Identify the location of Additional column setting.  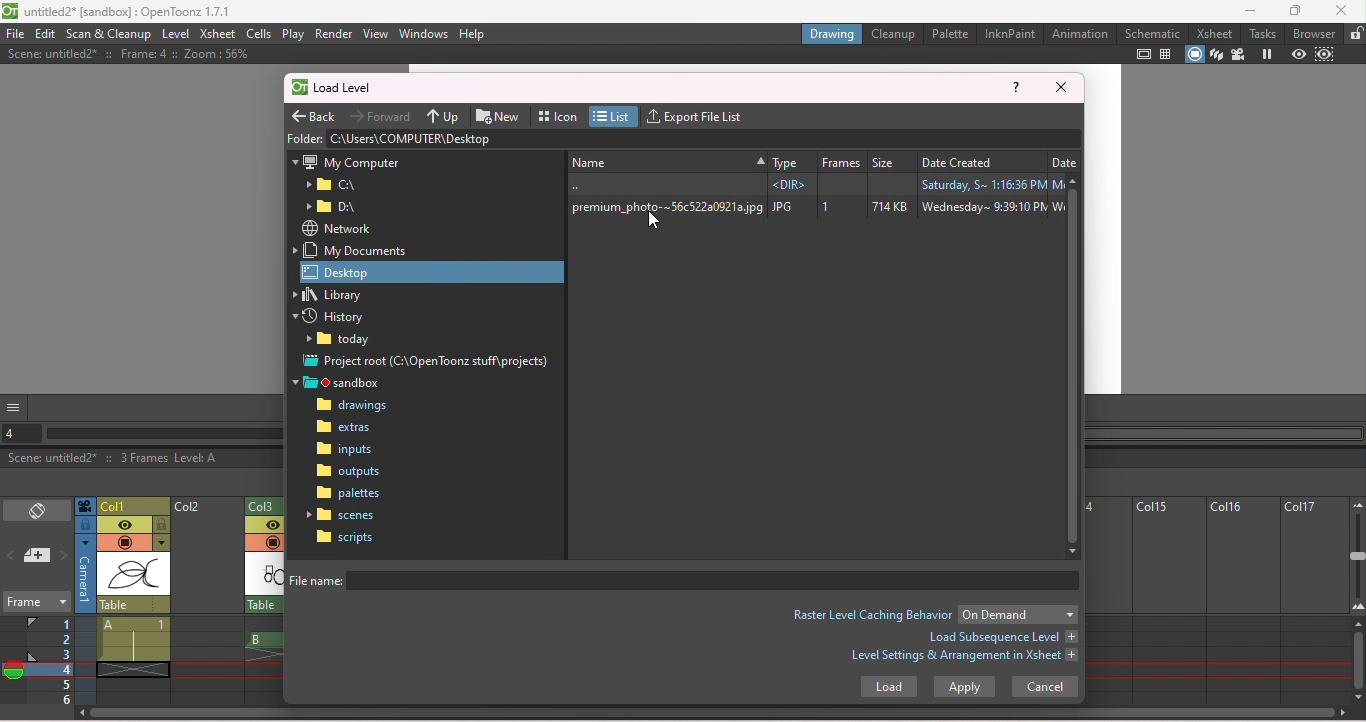
(161, 543).